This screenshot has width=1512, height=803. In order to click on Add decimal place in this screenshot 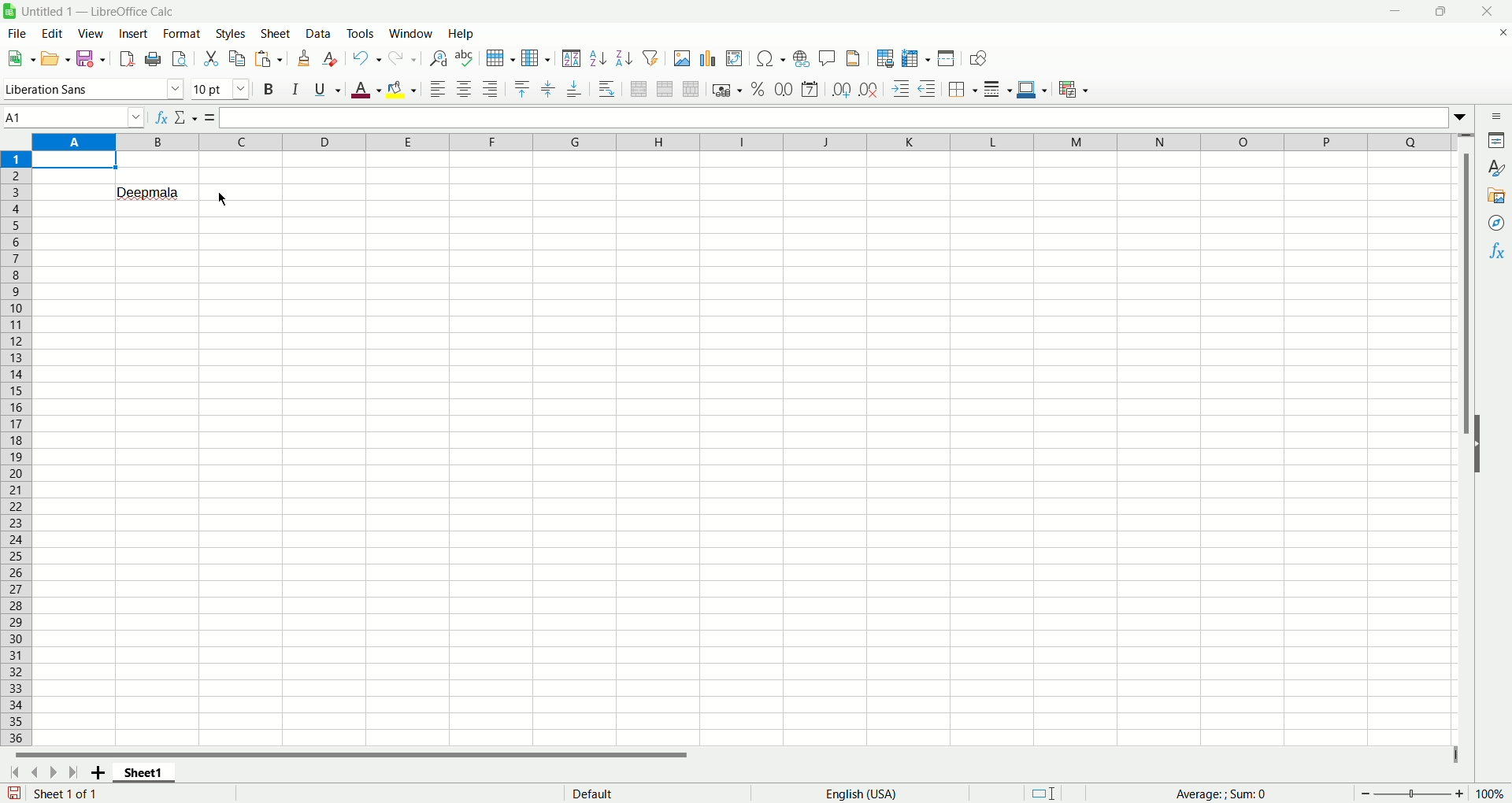, I will do `click(840, 91)`.